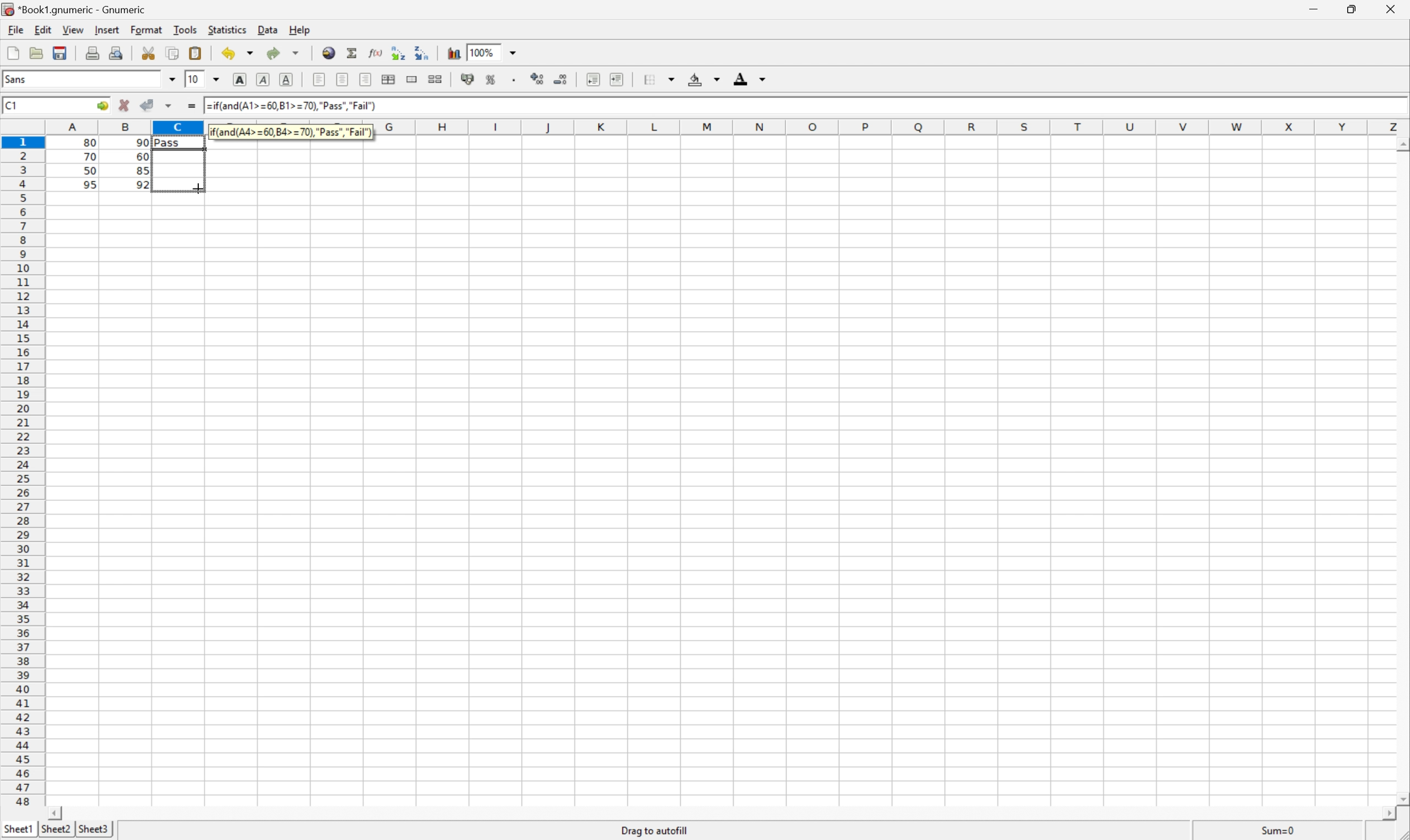  What do you see at coordinates (55, 829) in the screenshot?
I see `Sheet2` at bounding box center [55, 829].